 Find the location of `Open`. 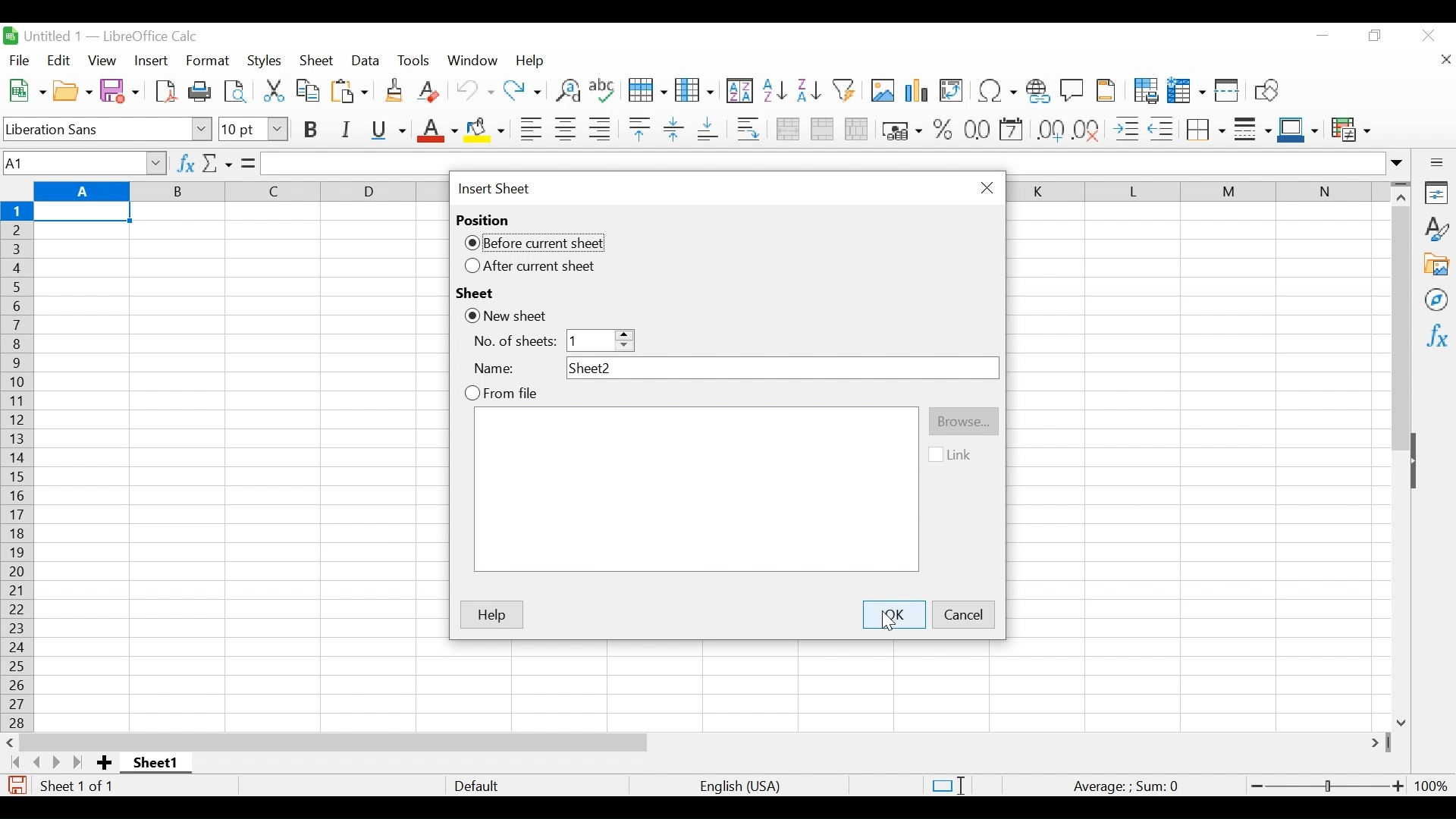

Open is located at coordinates (74, 90).